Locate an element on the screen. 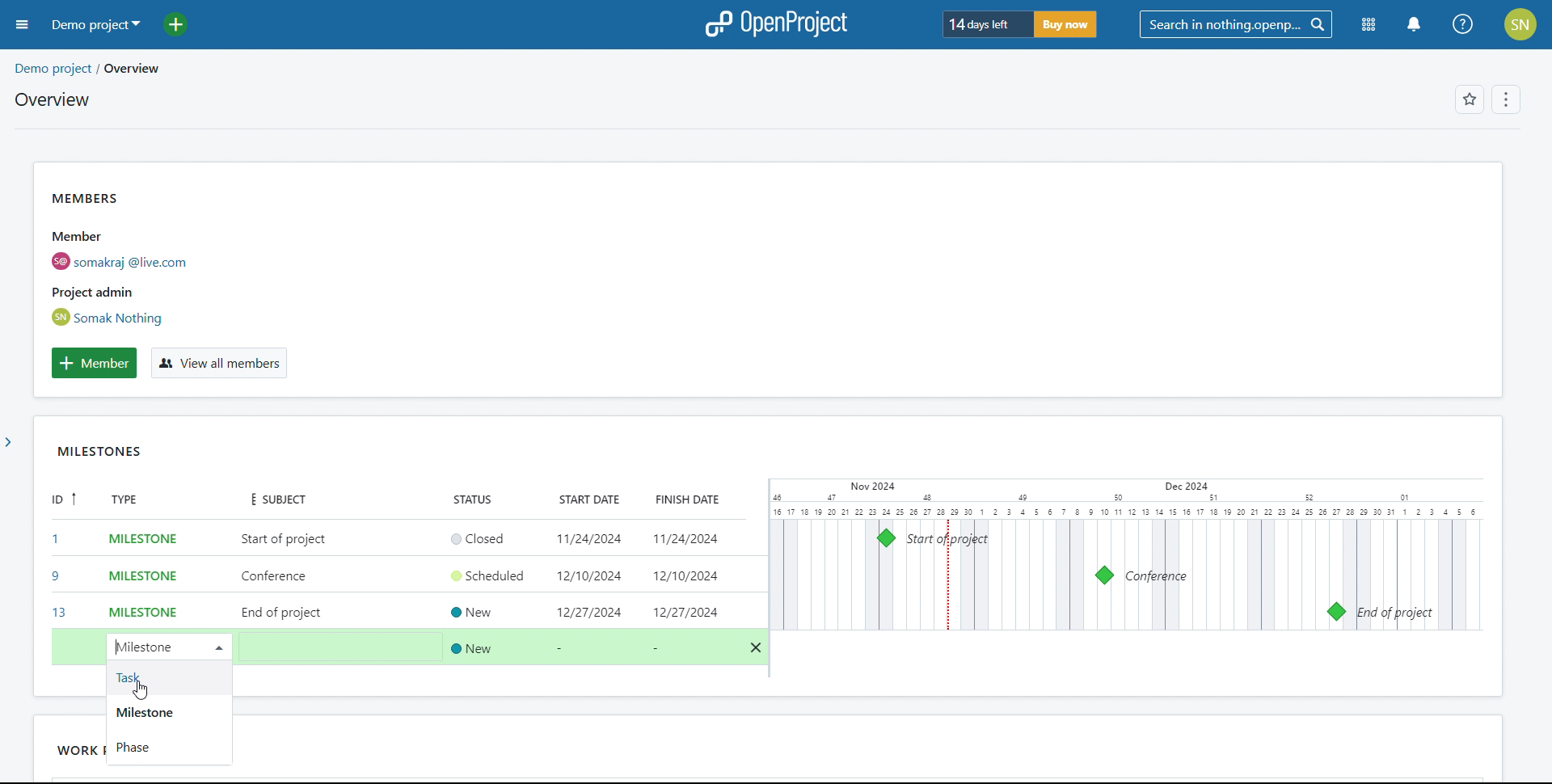 The height and width of the screenshot is (784, 1552). cursor is located at coordinates (138, 694).